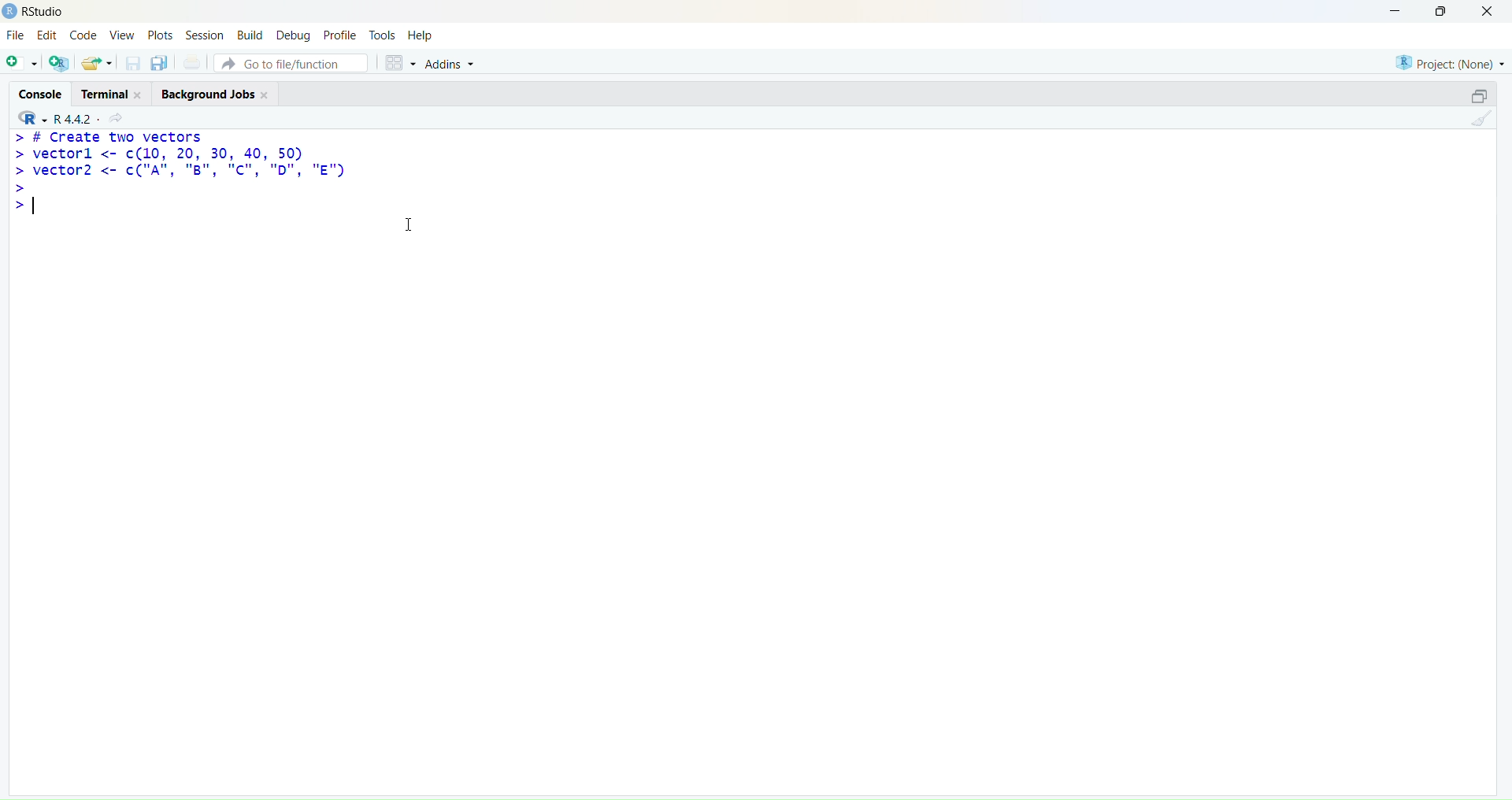 The image size is (1512, 800). What do you see at coordinates (109, 94) in the screenshot?
I see `Terminal` at bounding box center [109, 94].